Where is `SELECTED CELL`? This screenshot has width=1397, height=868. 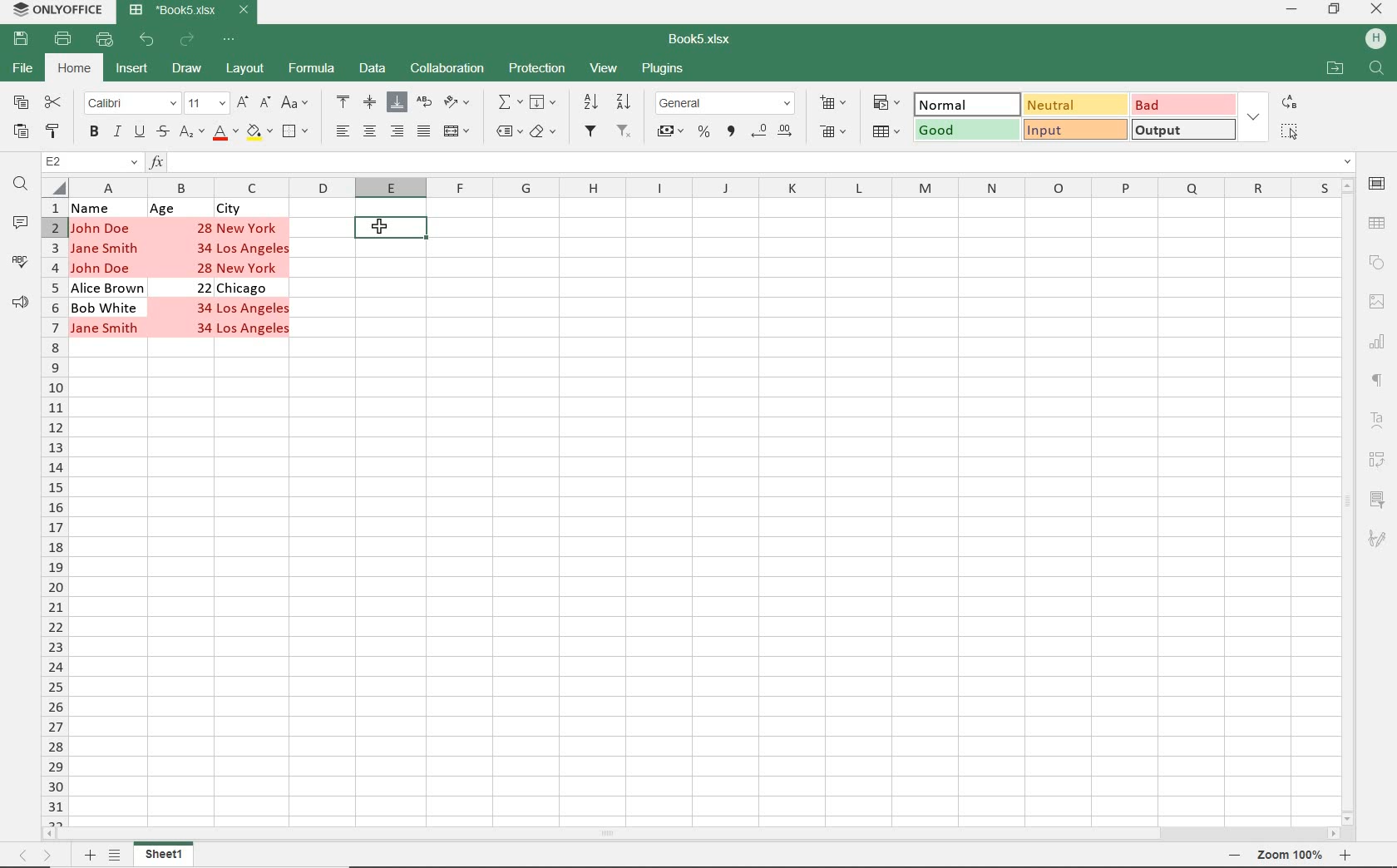 SELECTED CELL is located at coordinates (392, 230).